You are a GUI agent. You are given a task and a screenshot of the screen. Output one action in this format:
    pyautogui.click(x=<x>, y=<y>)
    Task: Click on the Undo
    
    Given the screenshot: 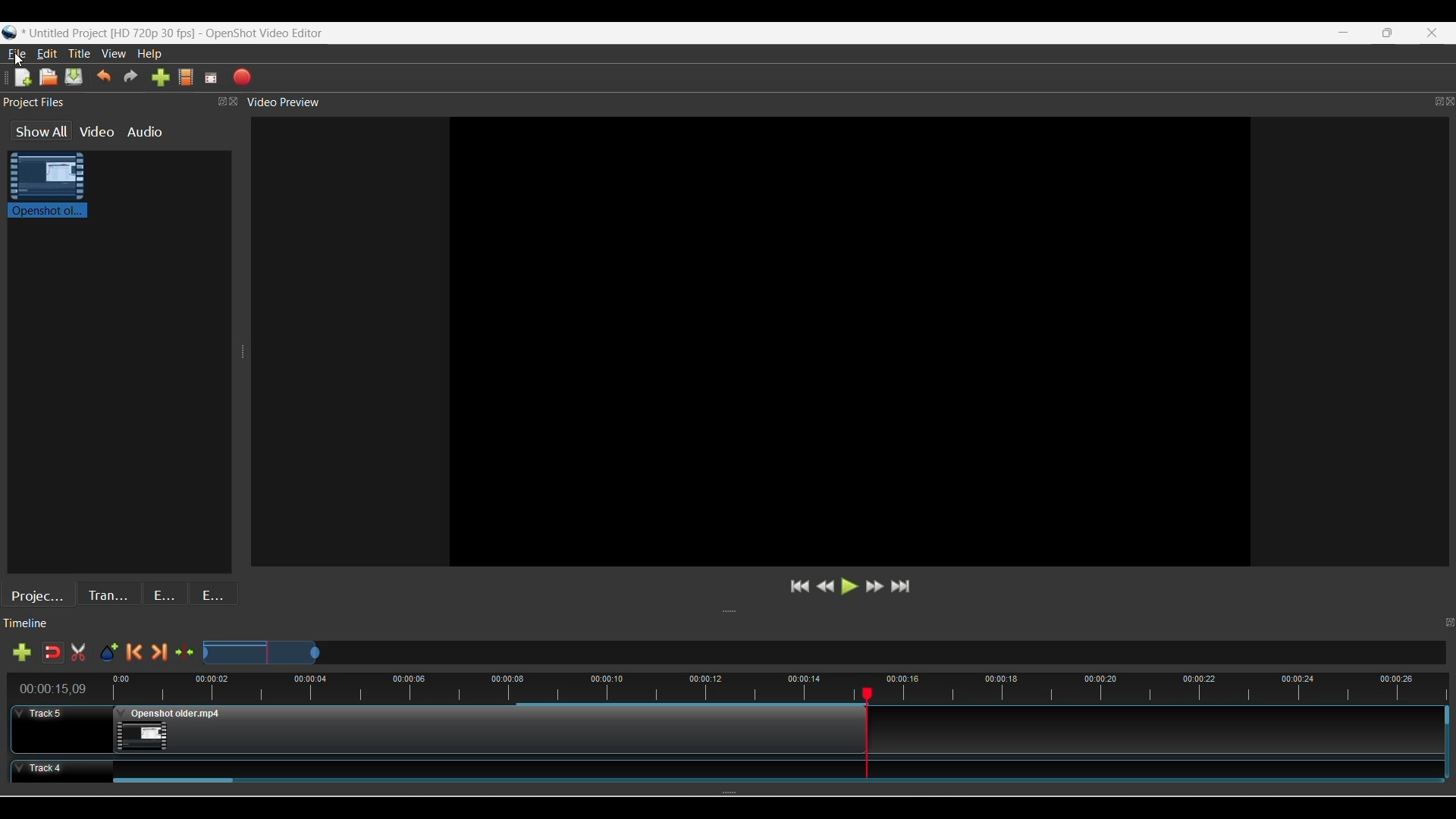 What is the action you would take?
    pyautogui.click(x=103, y=77)
    